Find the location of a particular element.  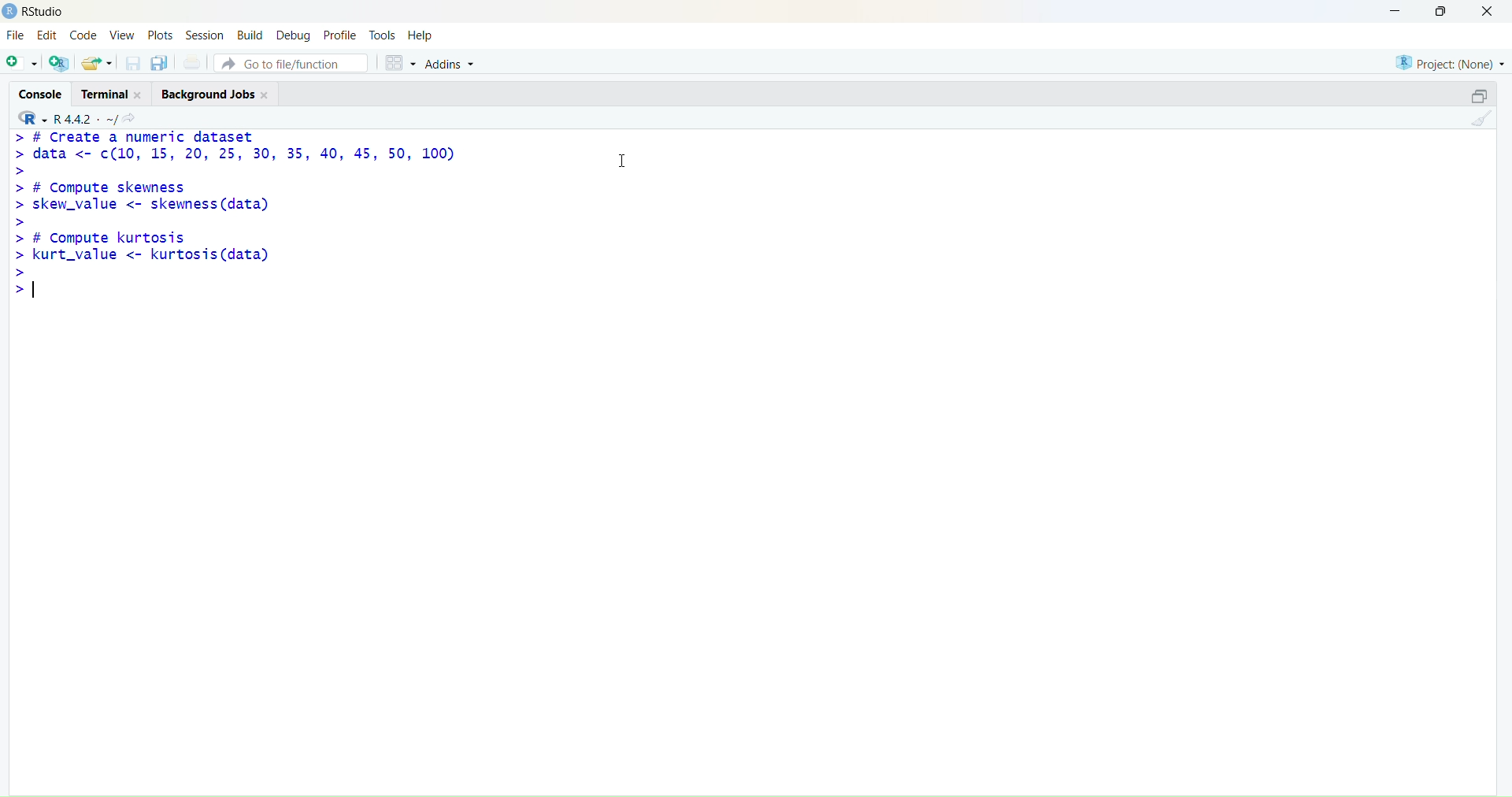

Tools is located at coordinates (383, 32).